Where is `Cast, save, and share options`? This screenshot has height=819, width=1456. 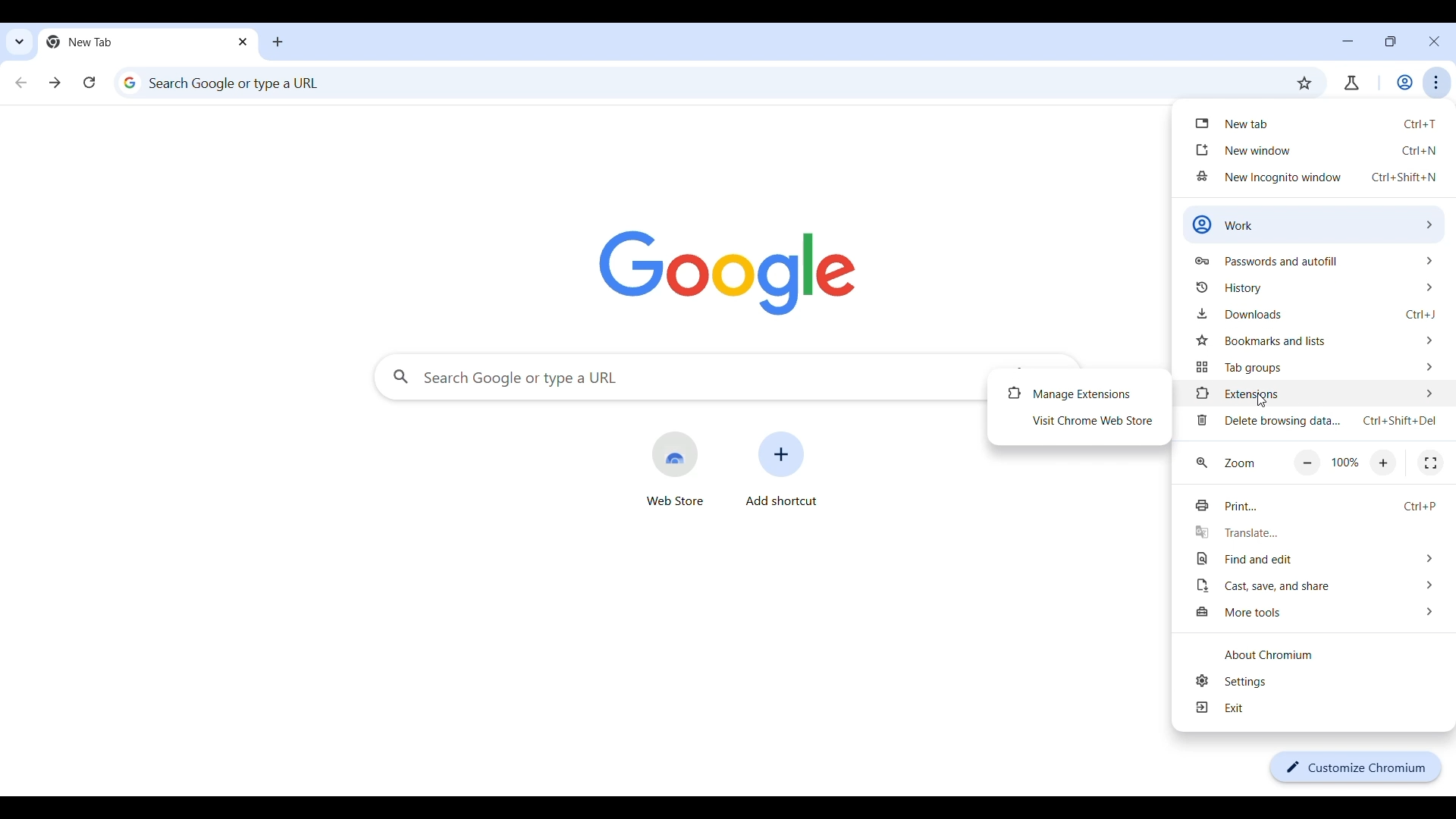
Cast, save, and share options is located at coordinates (1318, 585).